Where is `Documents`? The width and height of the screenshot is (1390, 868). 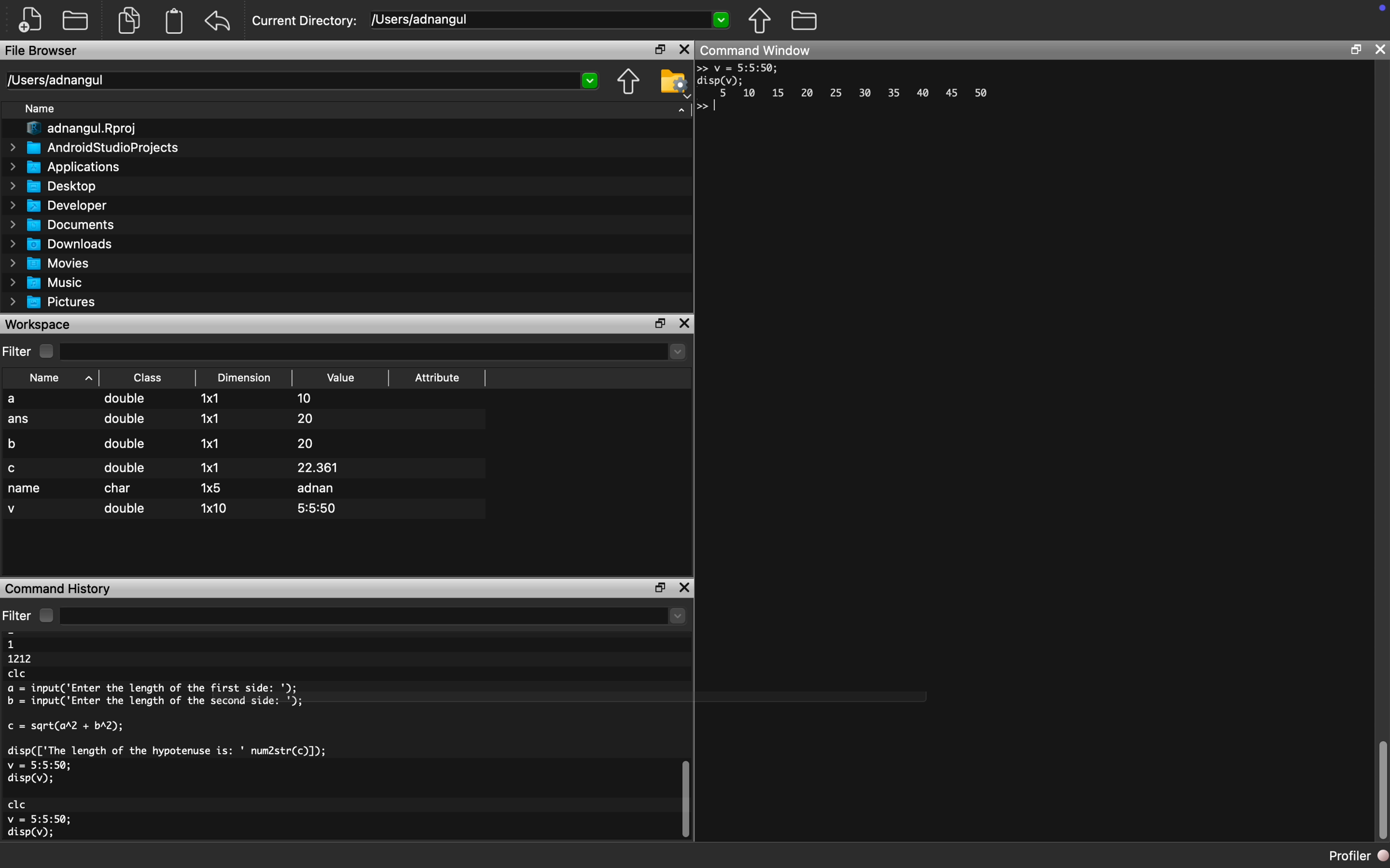 Documents is located at coordinates (57, 224).